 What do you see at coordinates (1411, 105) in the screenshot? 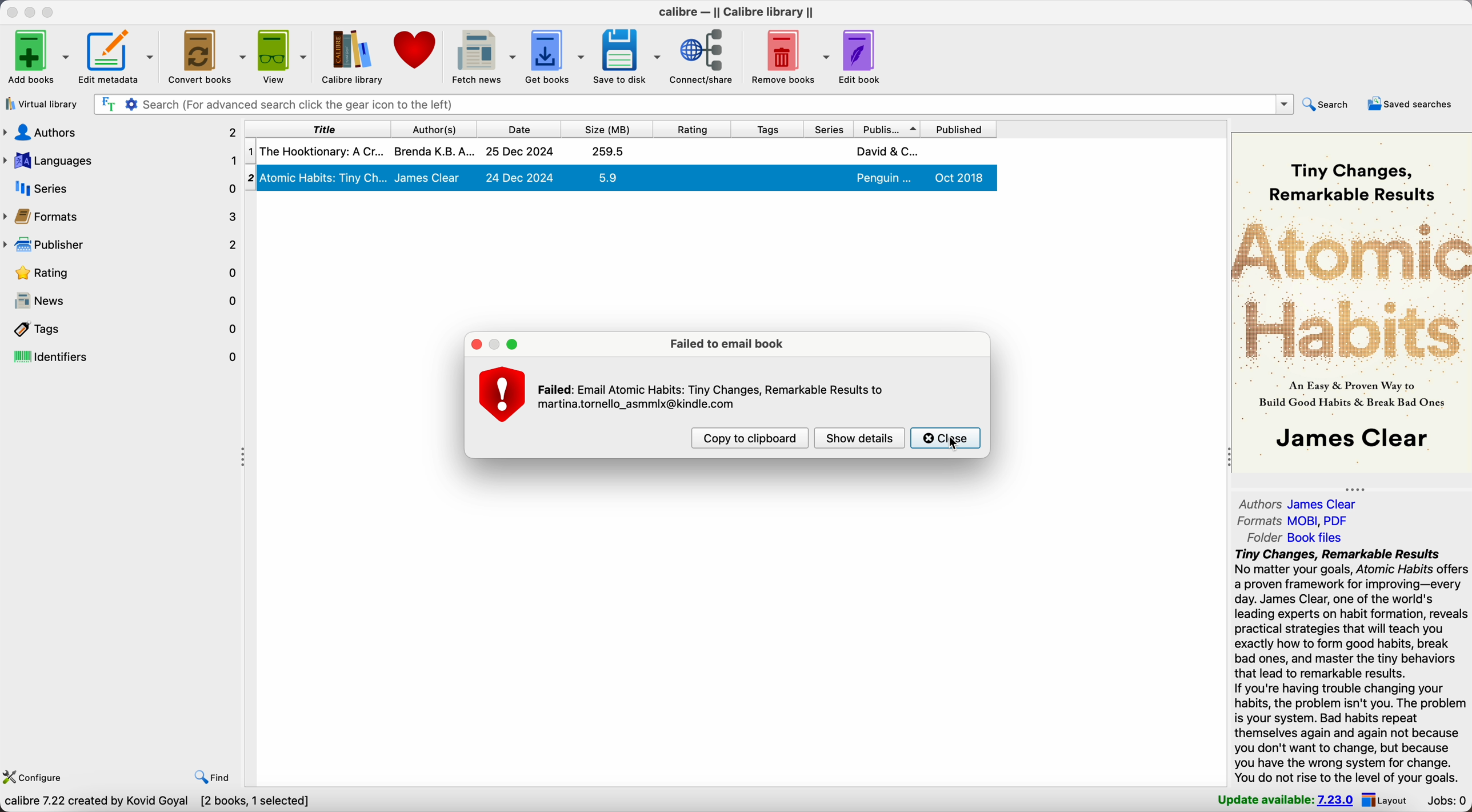
I see `saved searches` at bounding box center [1411, 105].